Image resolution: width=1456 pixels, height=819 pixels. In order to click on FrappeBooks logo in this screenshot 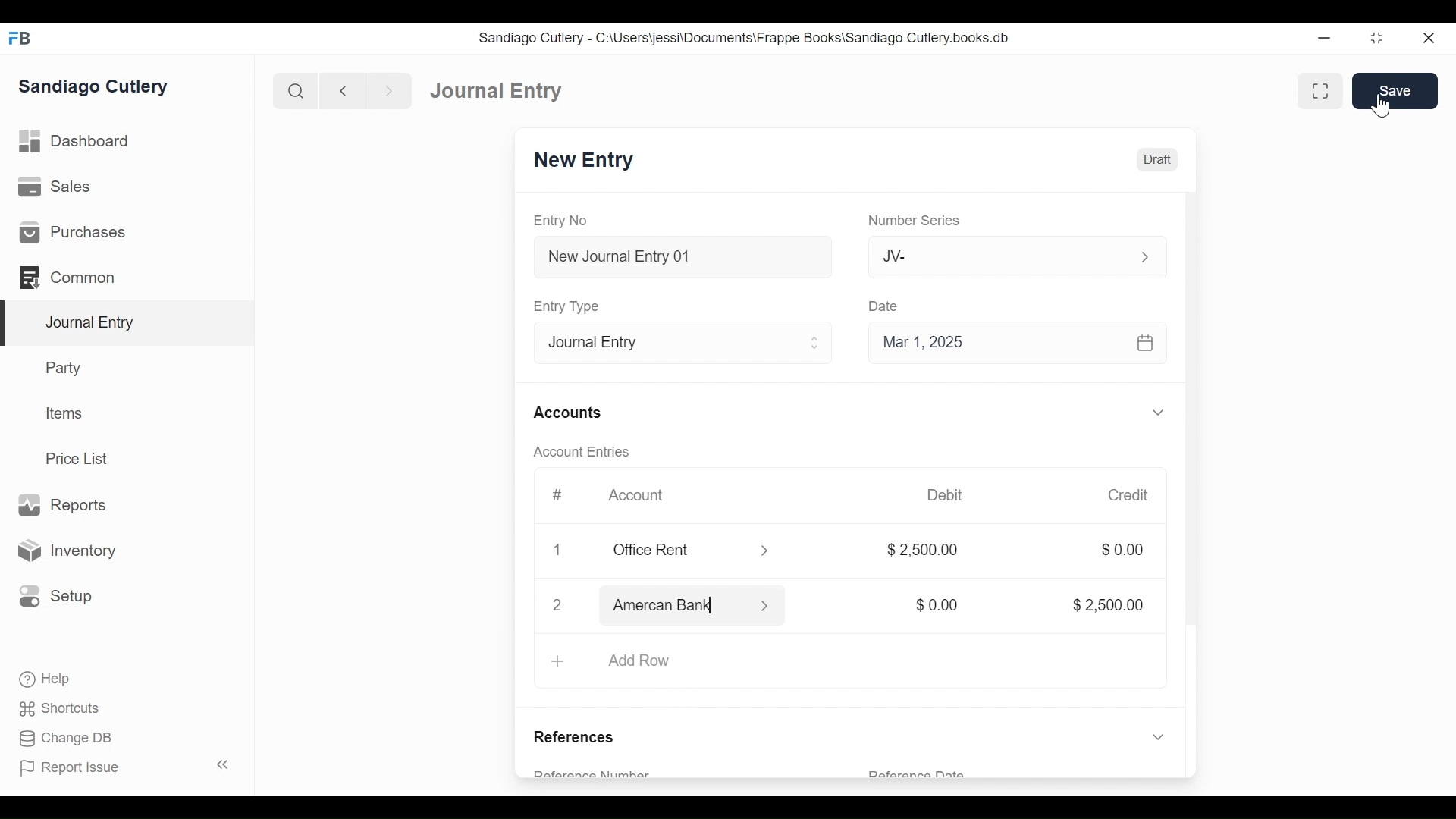, I will do `click(19, 38)`.